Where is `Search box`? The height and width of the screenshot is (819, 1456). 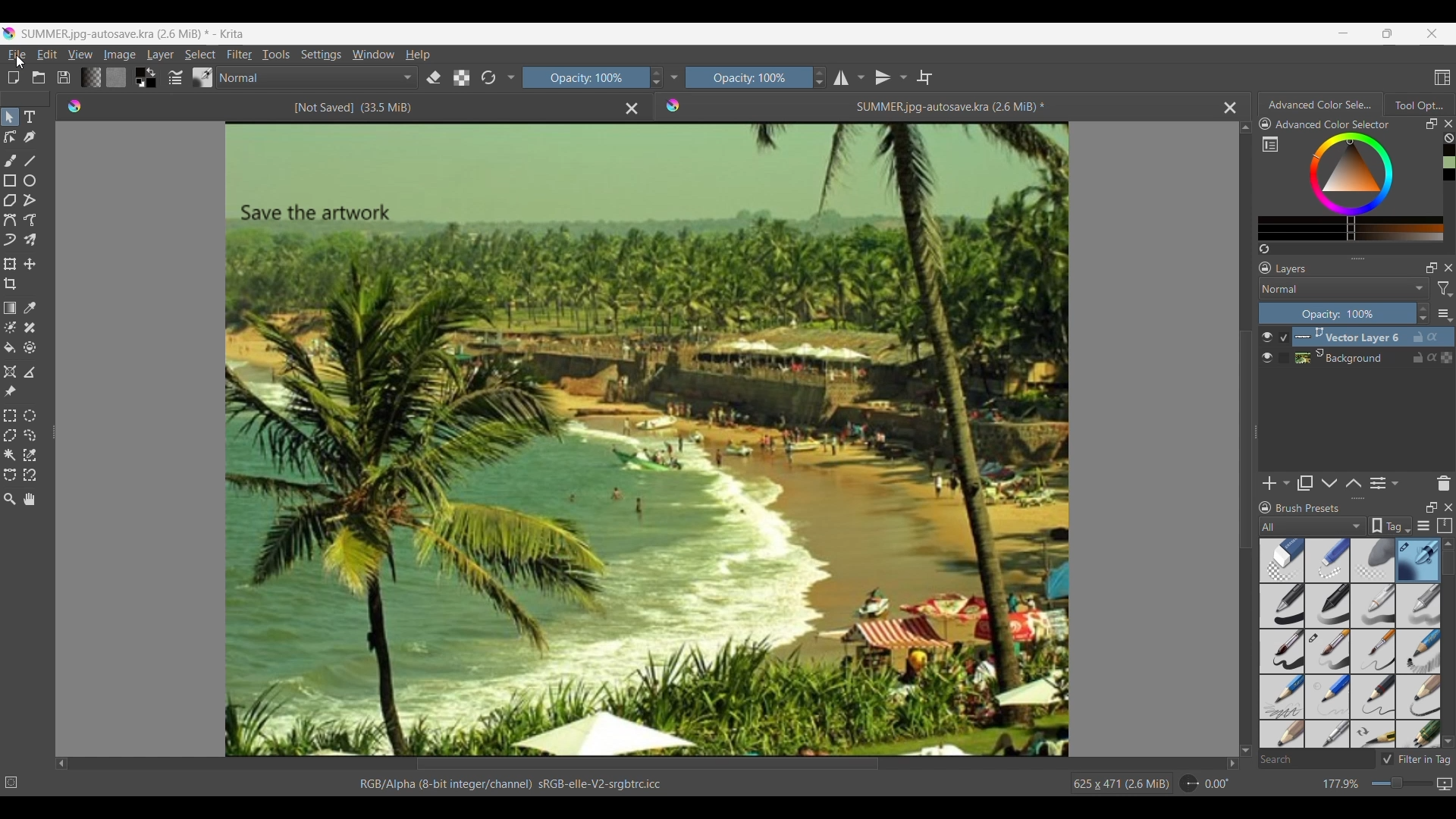
Search box is located at coordinates (1316, 759).